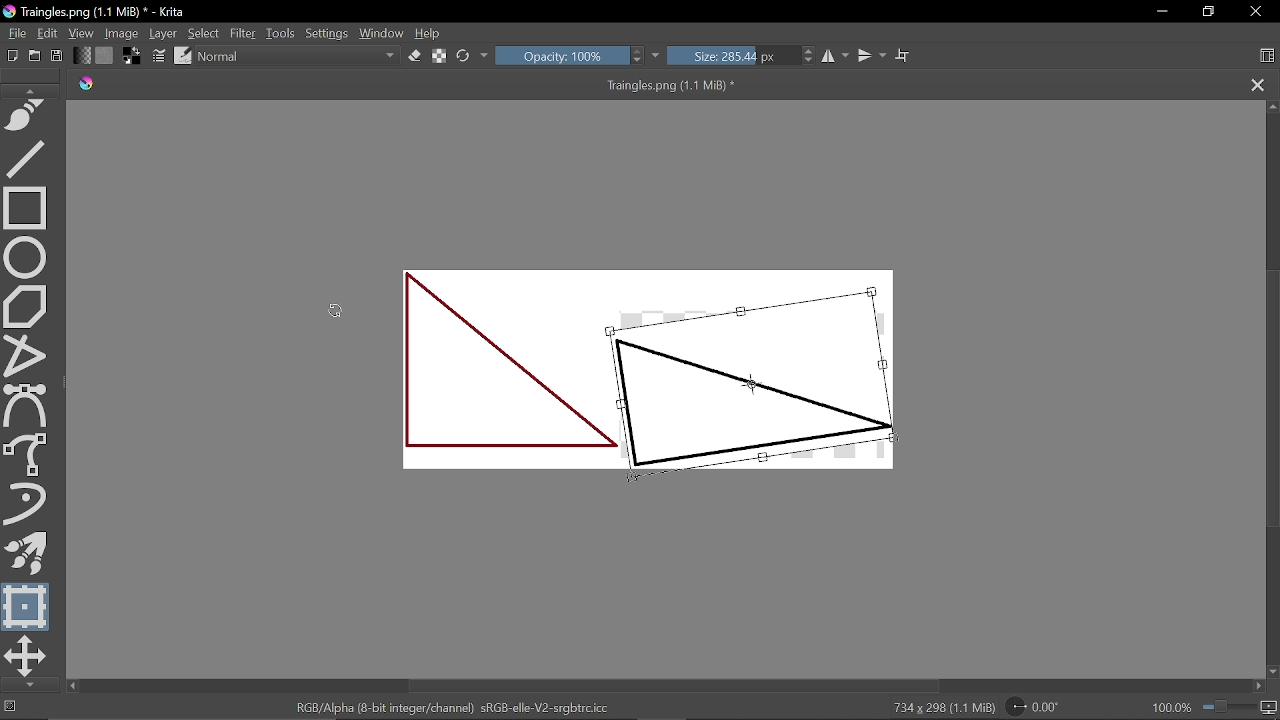 This screenshot has width=1280, height=720. What do you see at coordinates (14, 33) in the screenshot?
I see `File` at bounding box center [14, 33].